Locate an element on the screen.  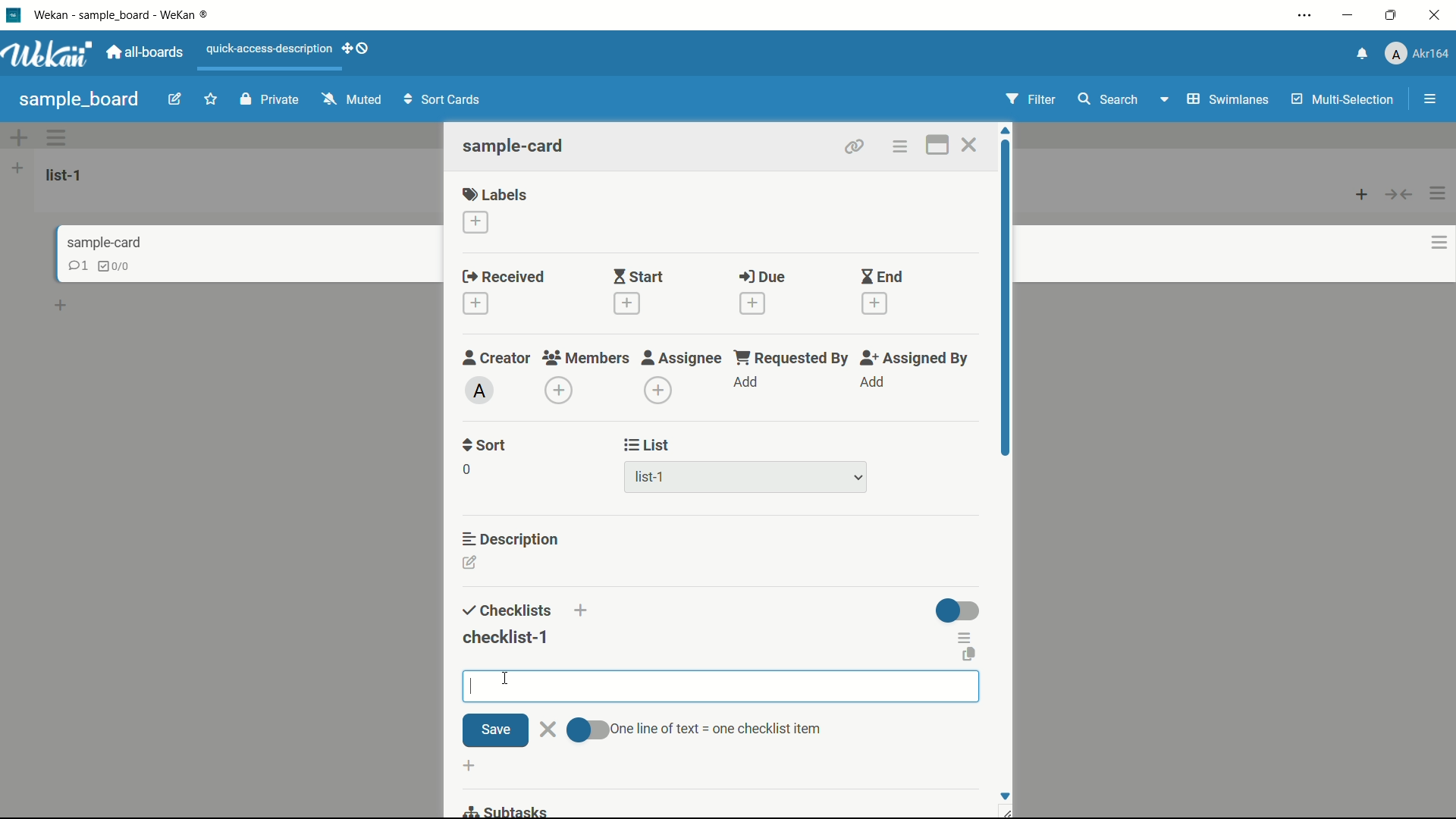
close card is located at coordinates (971, 145).